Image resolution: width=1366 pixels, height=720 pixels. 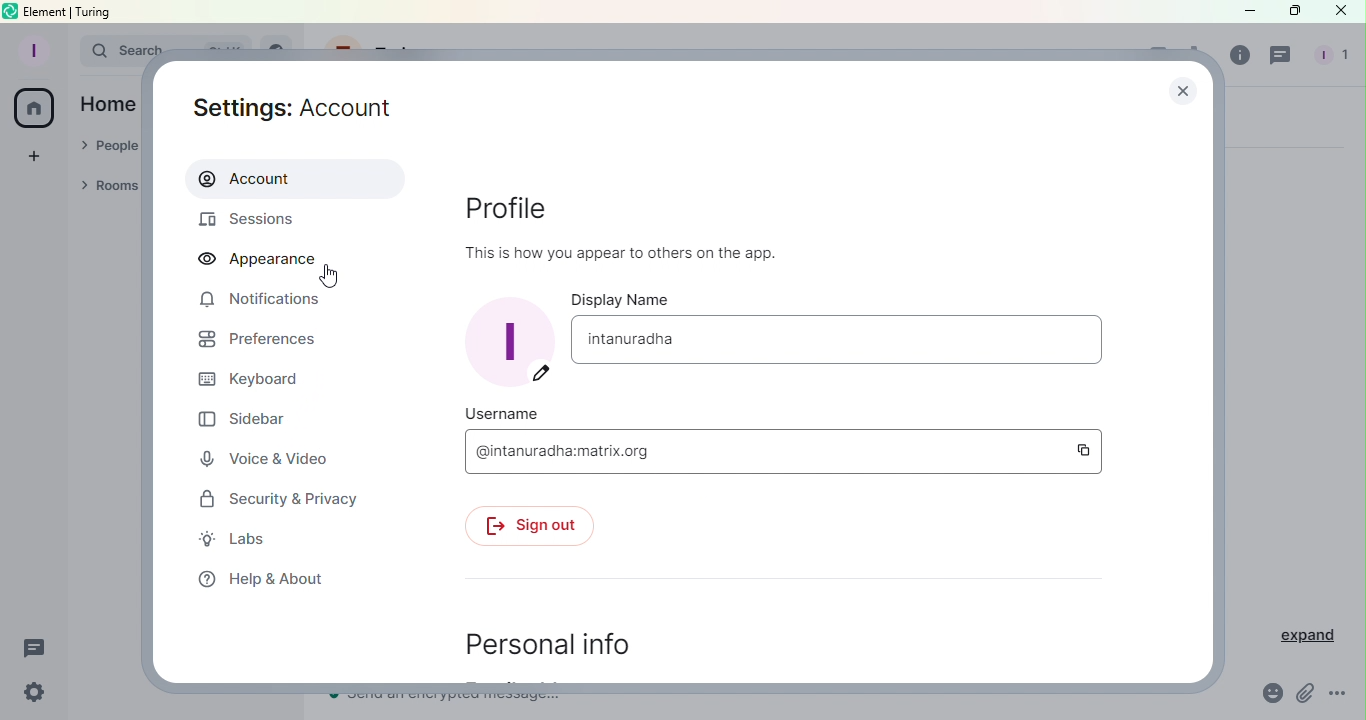 What do you see at coordinates (1291, 12) in the screenshot?
I see `Maximize` at bounding box center [1291, 12].